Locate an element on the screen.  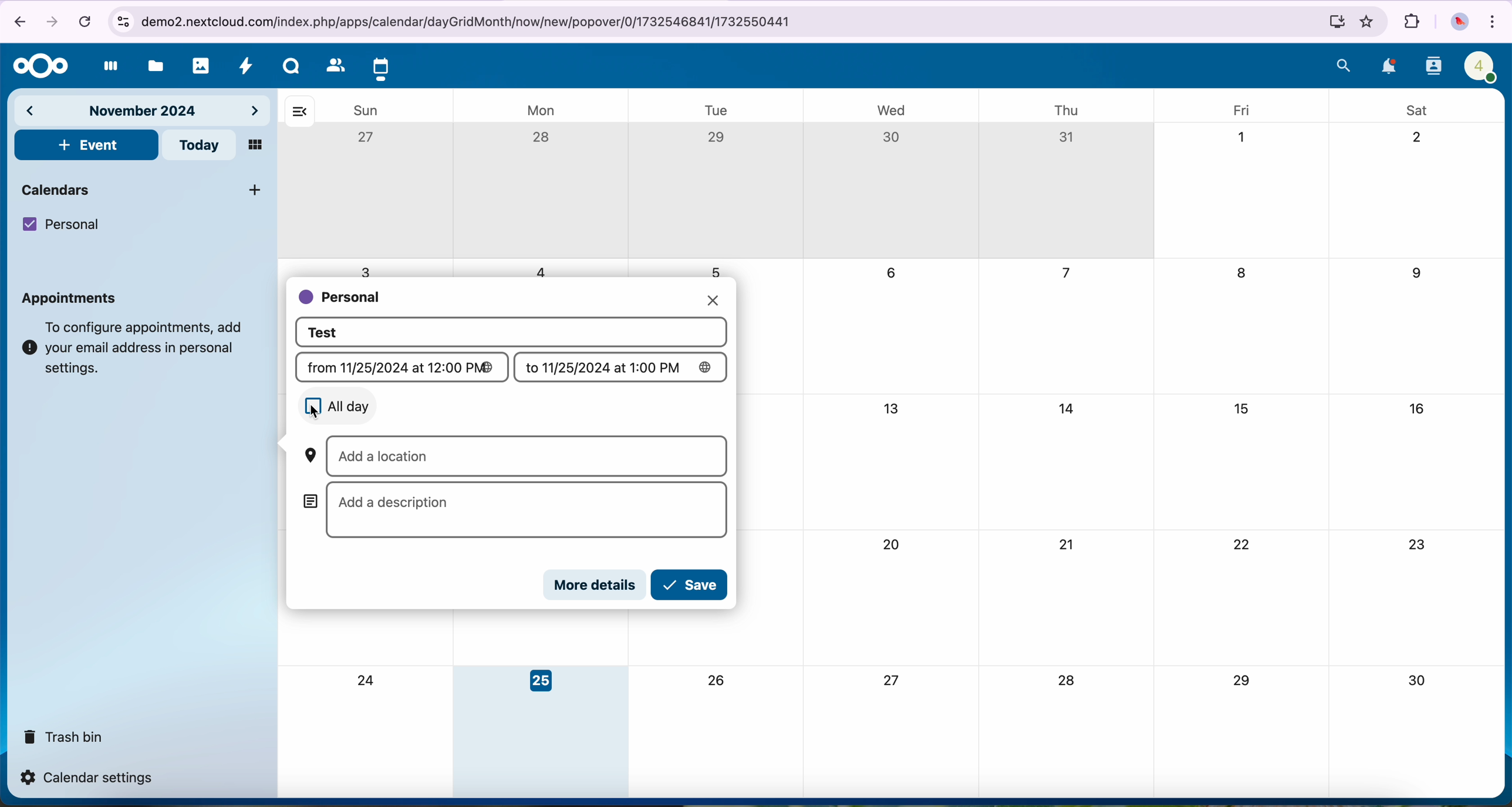
click on event is located at coordinates (87, 146).